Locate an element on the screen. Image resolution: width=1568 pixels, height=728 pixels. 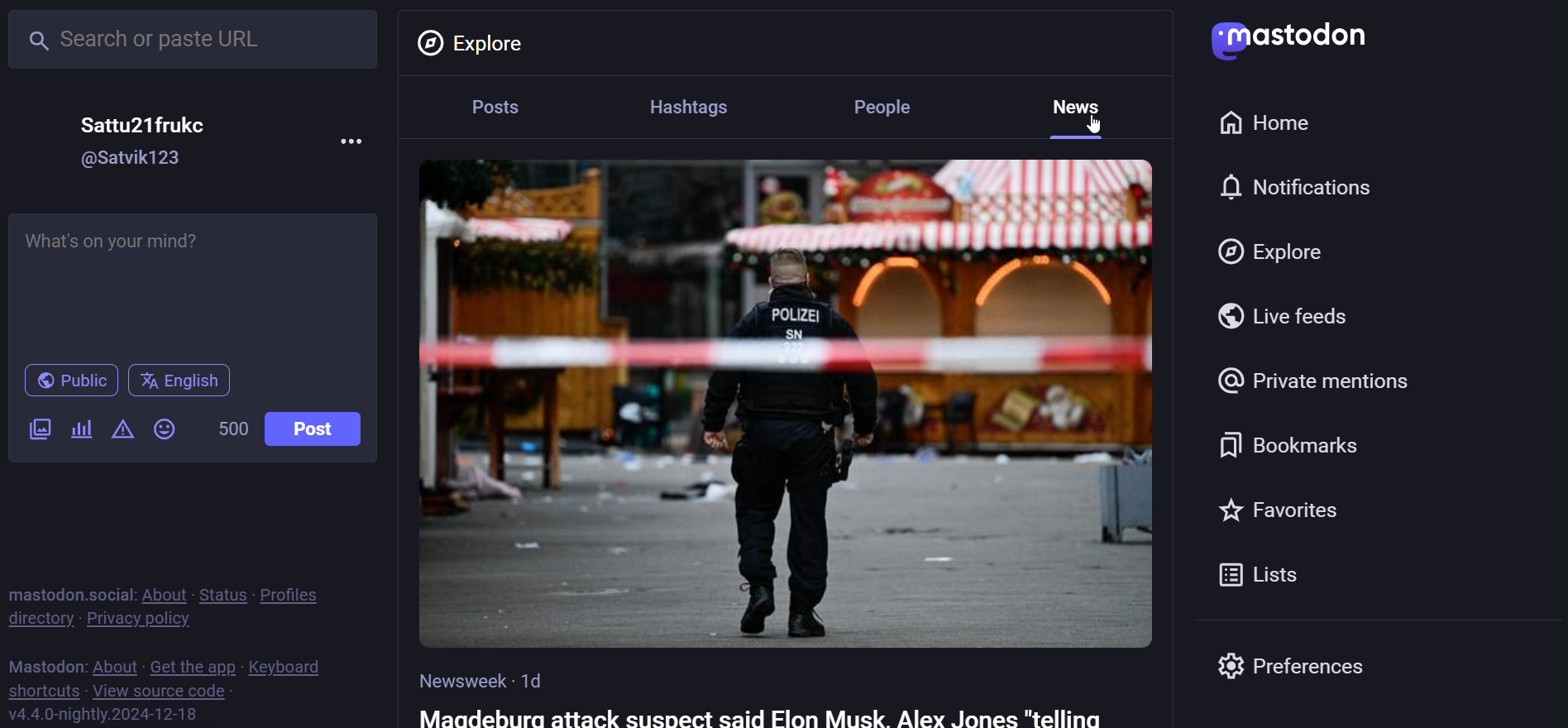
Newsweek - 1d is located at coordinates (490, 676).